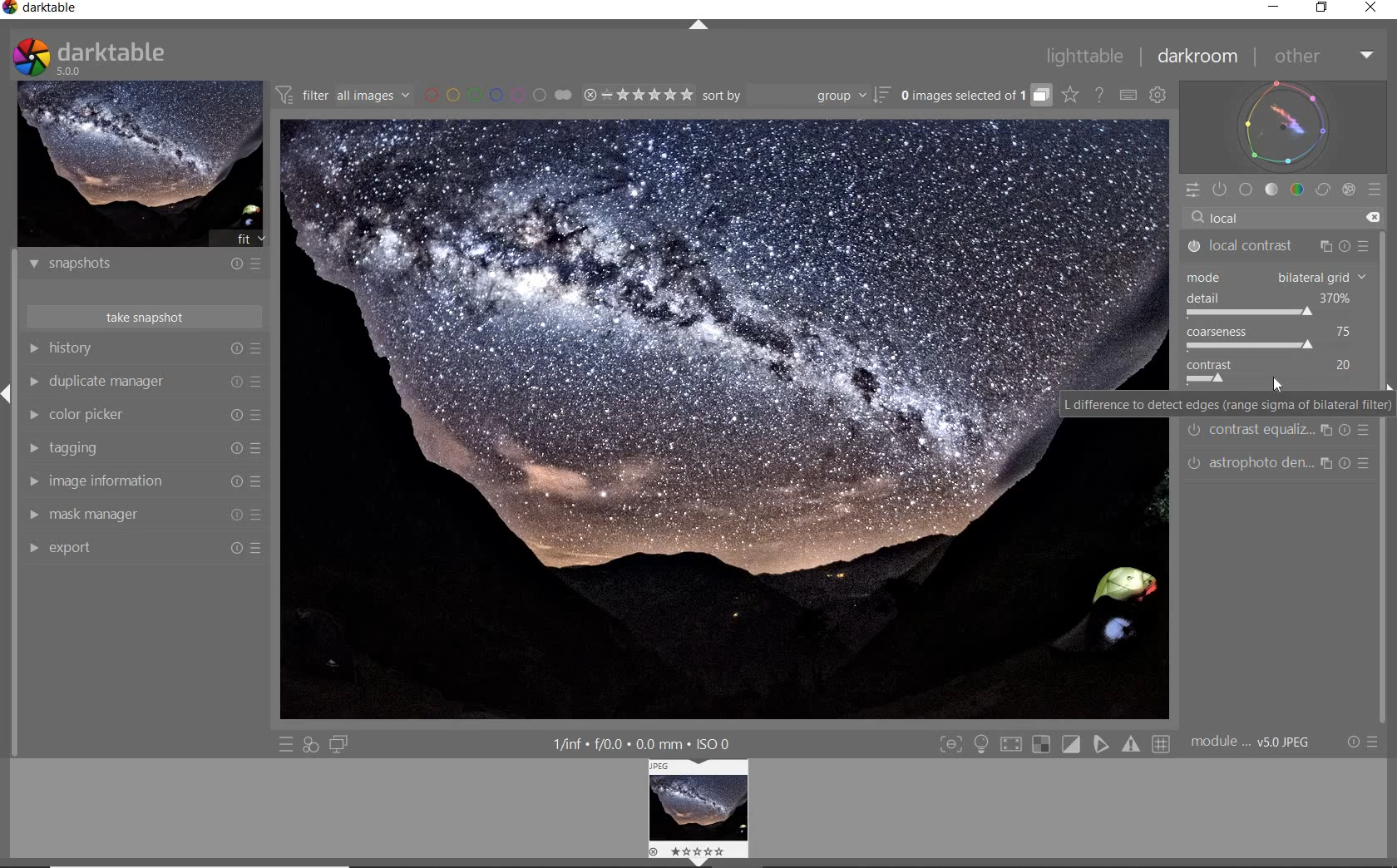 The image size is (1397, 868). I want to click on darktable, so click(79, 8).